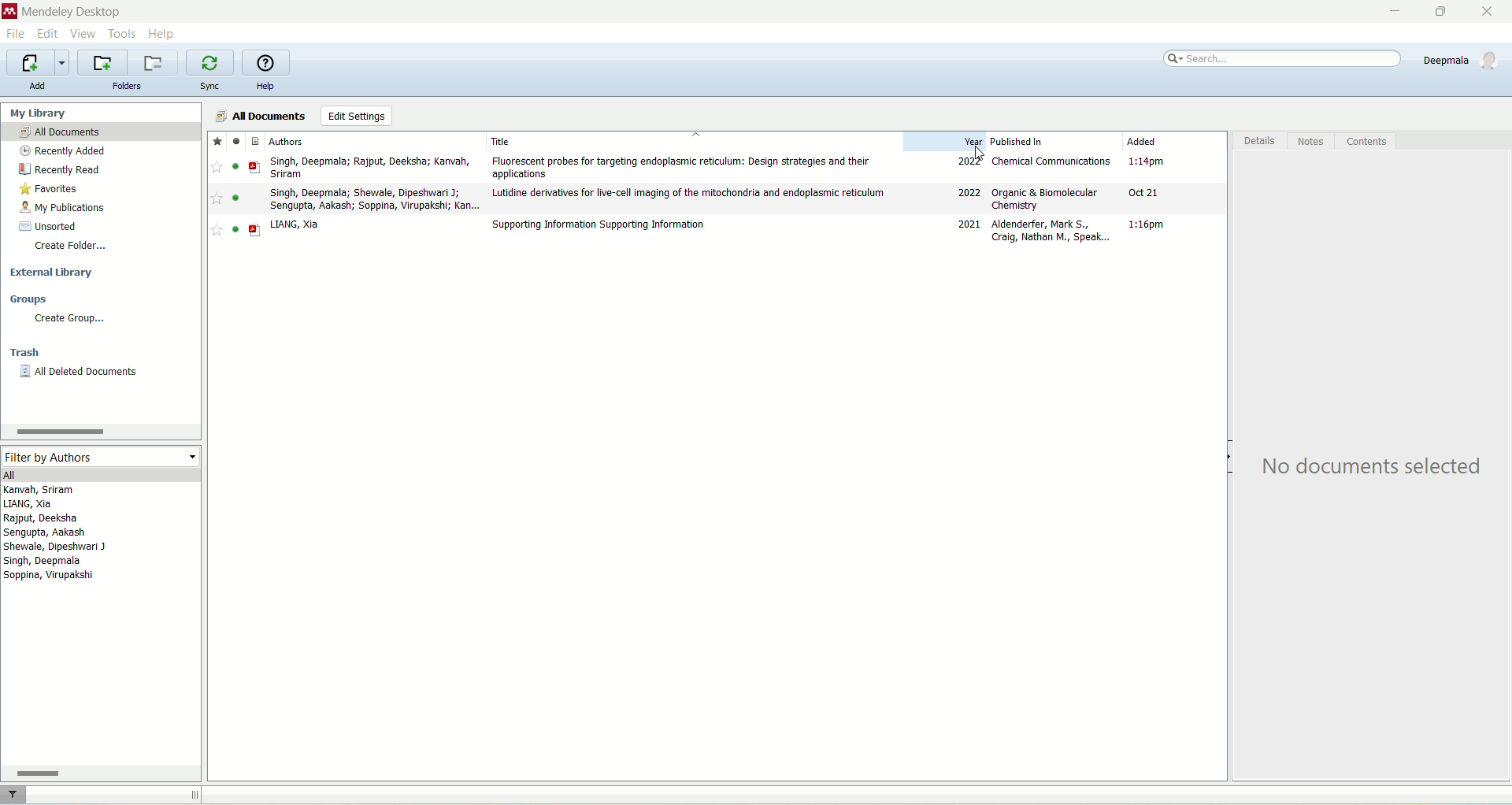 The width and height of the screenshot is (1512, 805). Describe the element at coordinates (214, 167) in the screenshot. I see `favourite` at that location.